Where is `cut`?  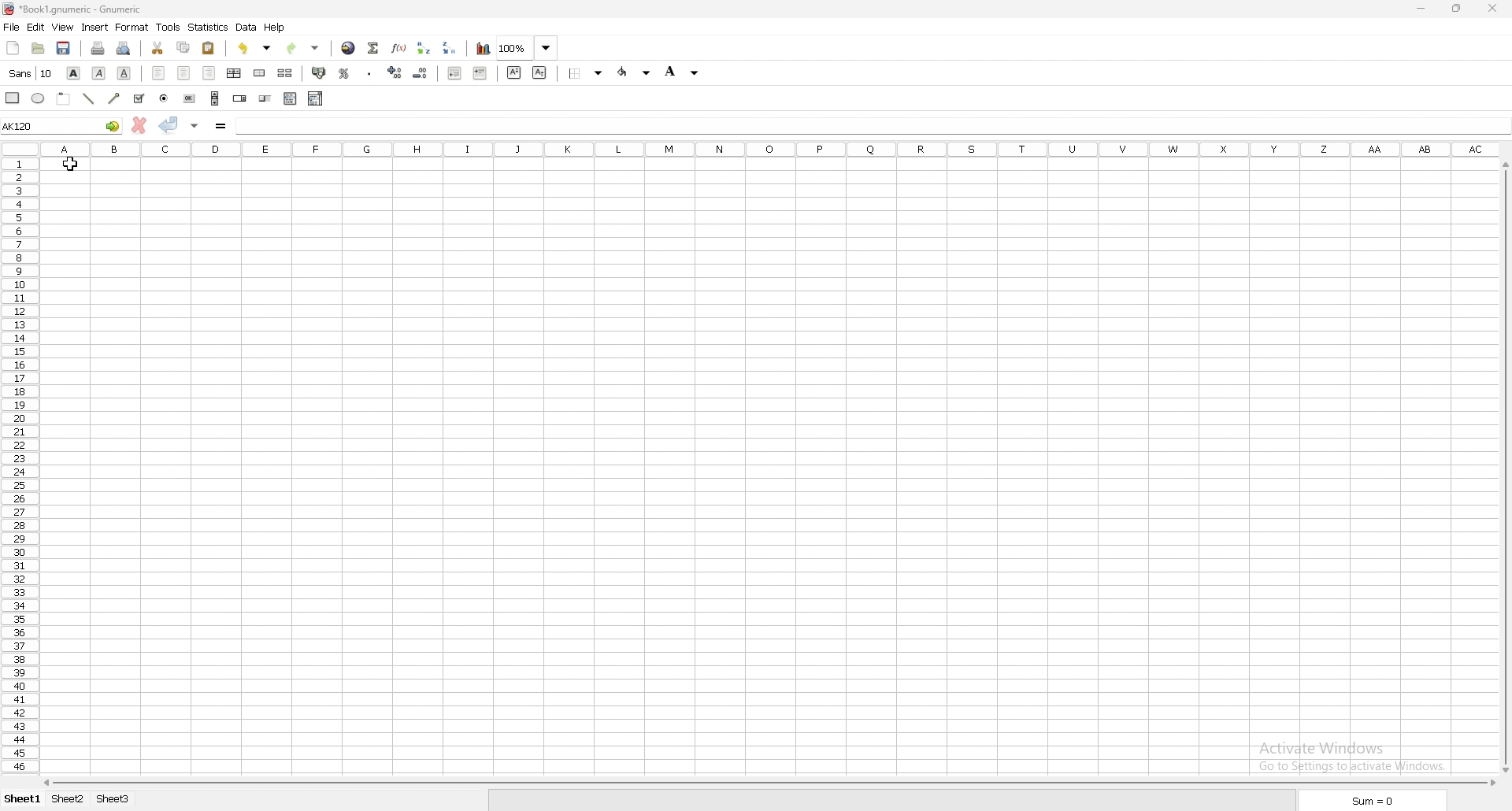 cut is located at coordinates (159, 48).